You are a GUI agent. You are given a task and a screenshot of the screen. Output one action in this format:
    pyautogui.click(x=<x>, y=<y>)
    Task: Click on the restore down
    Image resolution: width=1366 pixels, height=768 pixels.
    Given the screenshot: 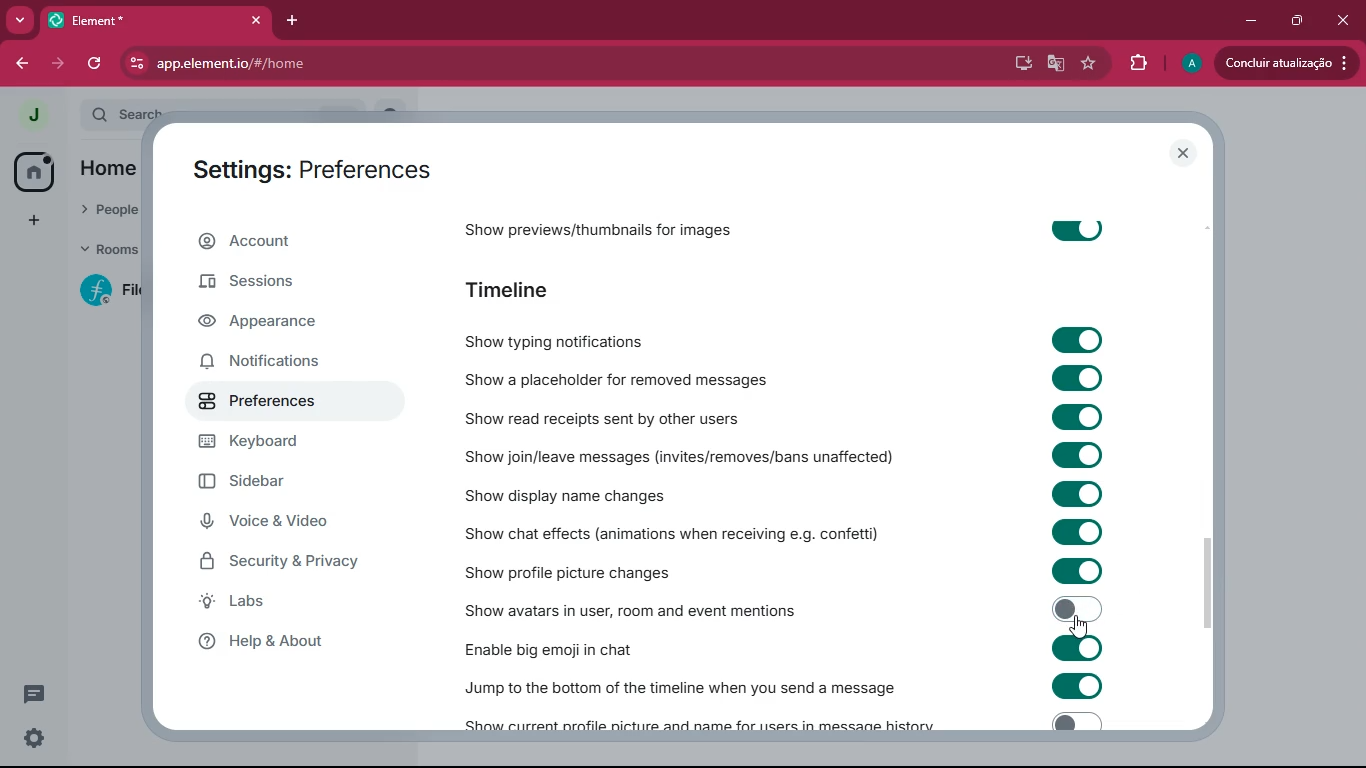 What is the action you would take?
    pyautogui.click(x=1294, y=21)
    